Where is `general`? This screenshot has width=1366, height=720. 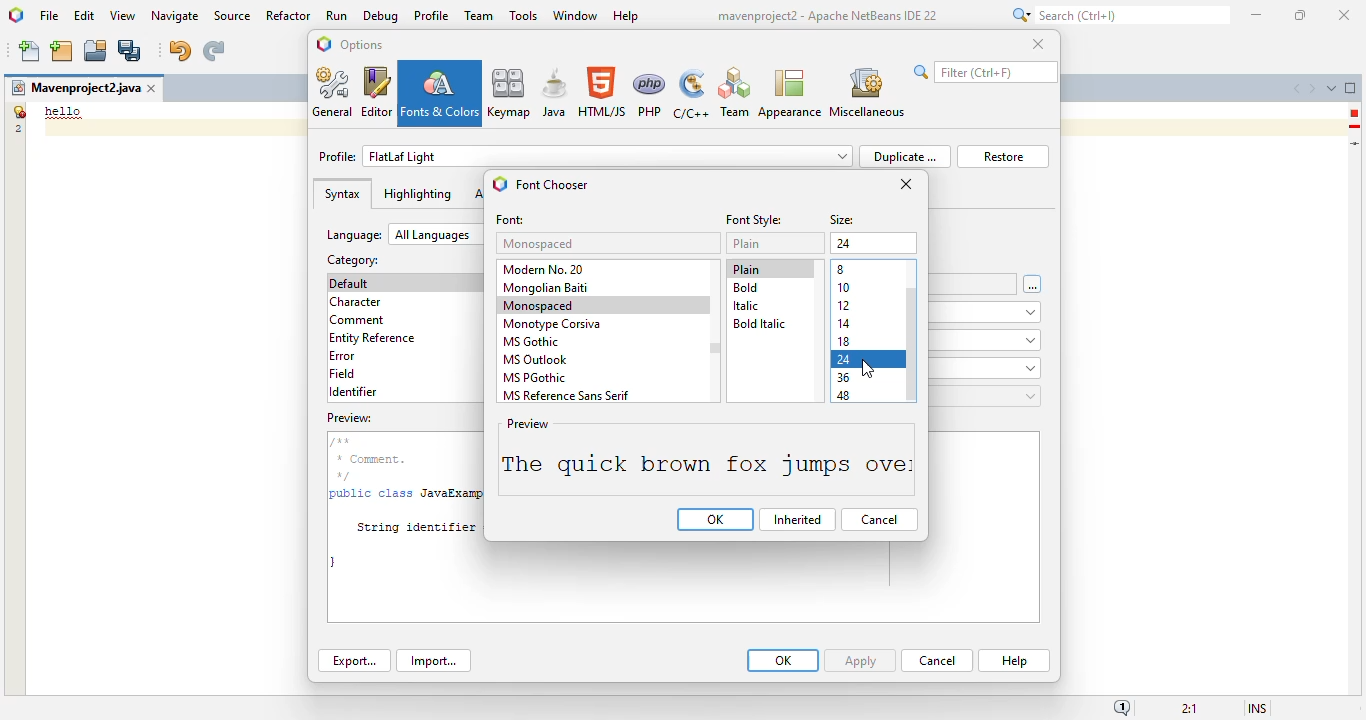 general is located at coordinates (334, 92).